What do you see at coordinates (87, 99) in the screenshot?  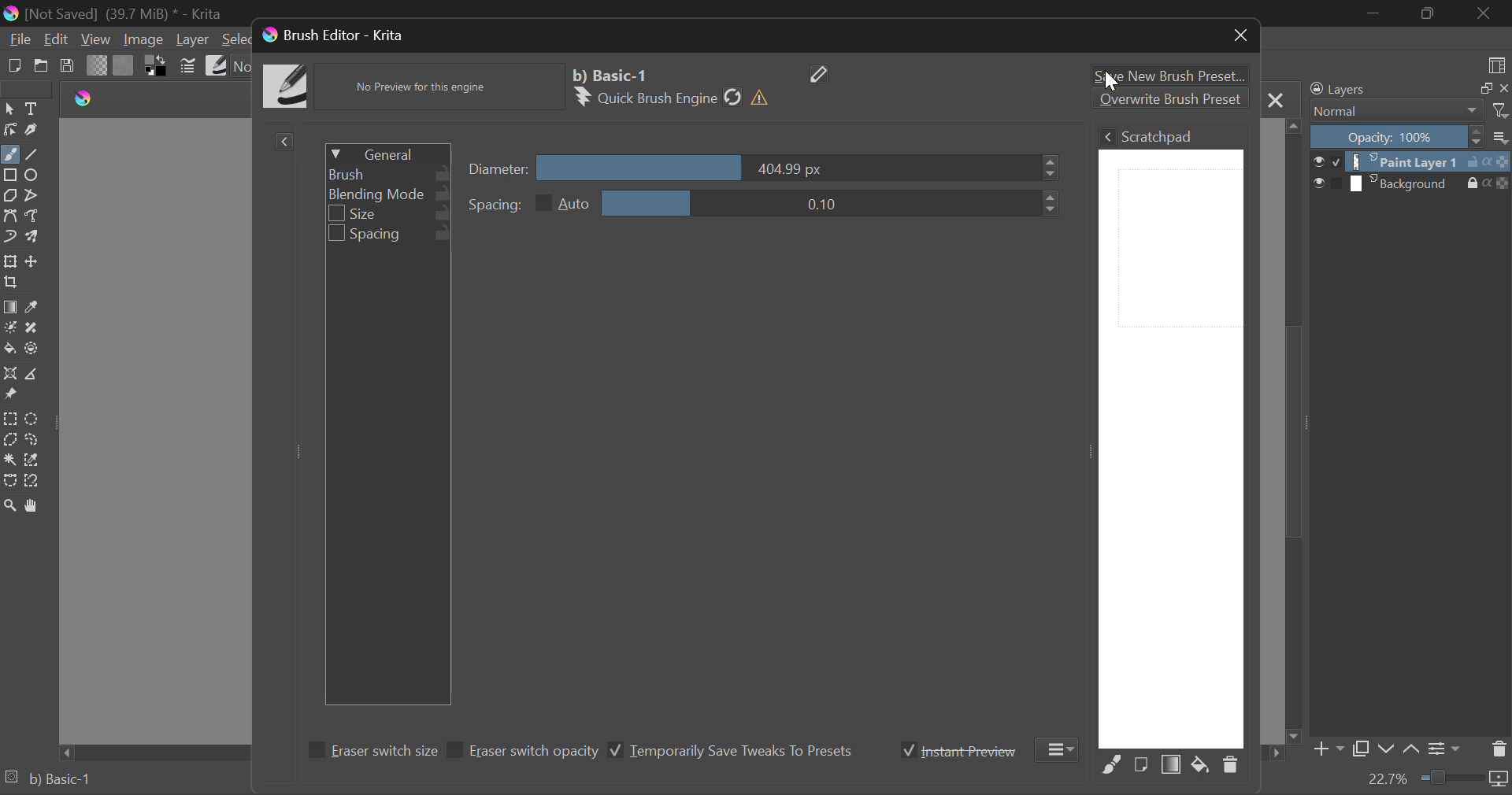 I see `logo` at bounding box center [87, 99].